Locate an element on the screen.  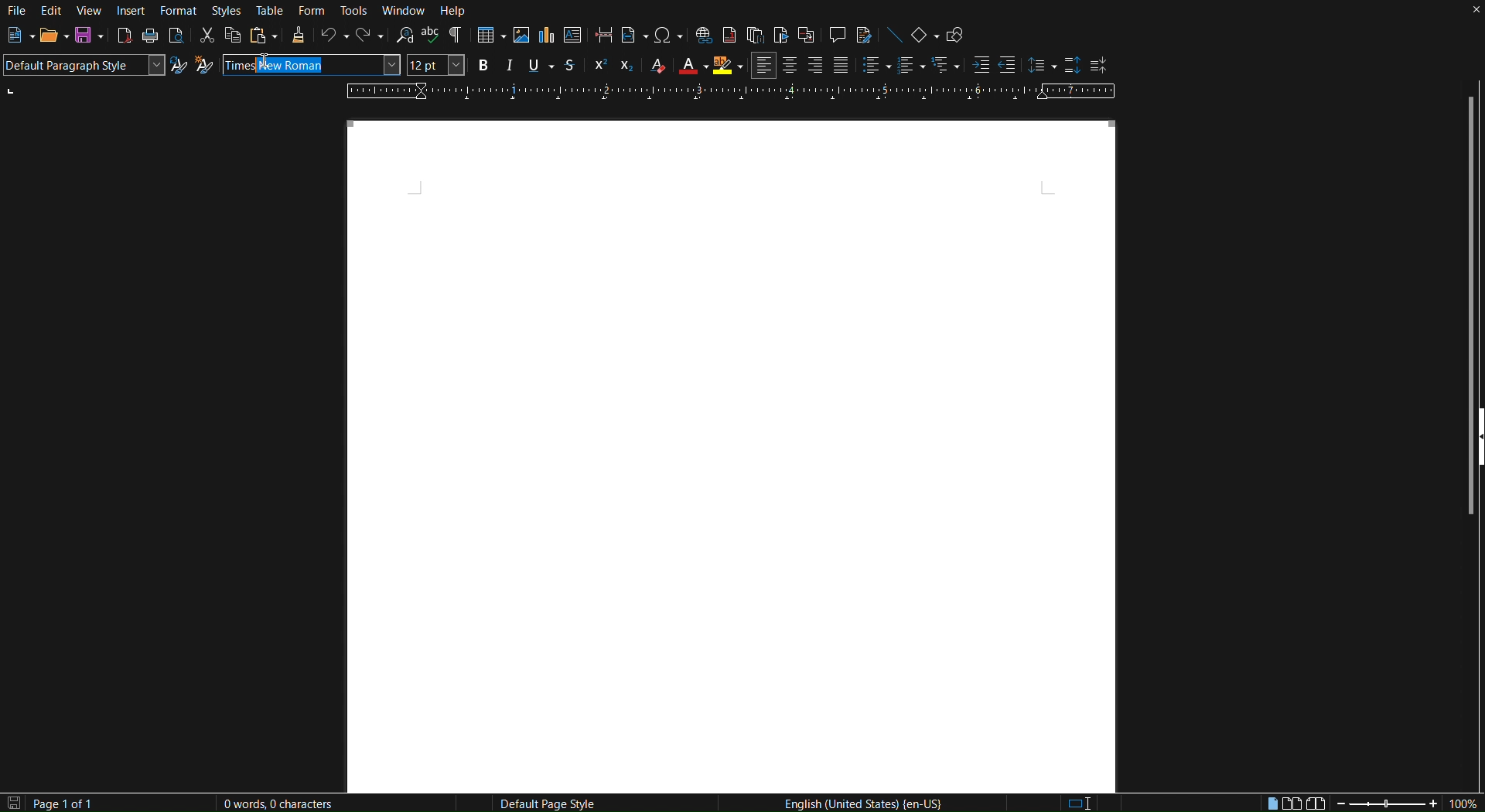
Toggle print preview is located at coordinates (176, 37).